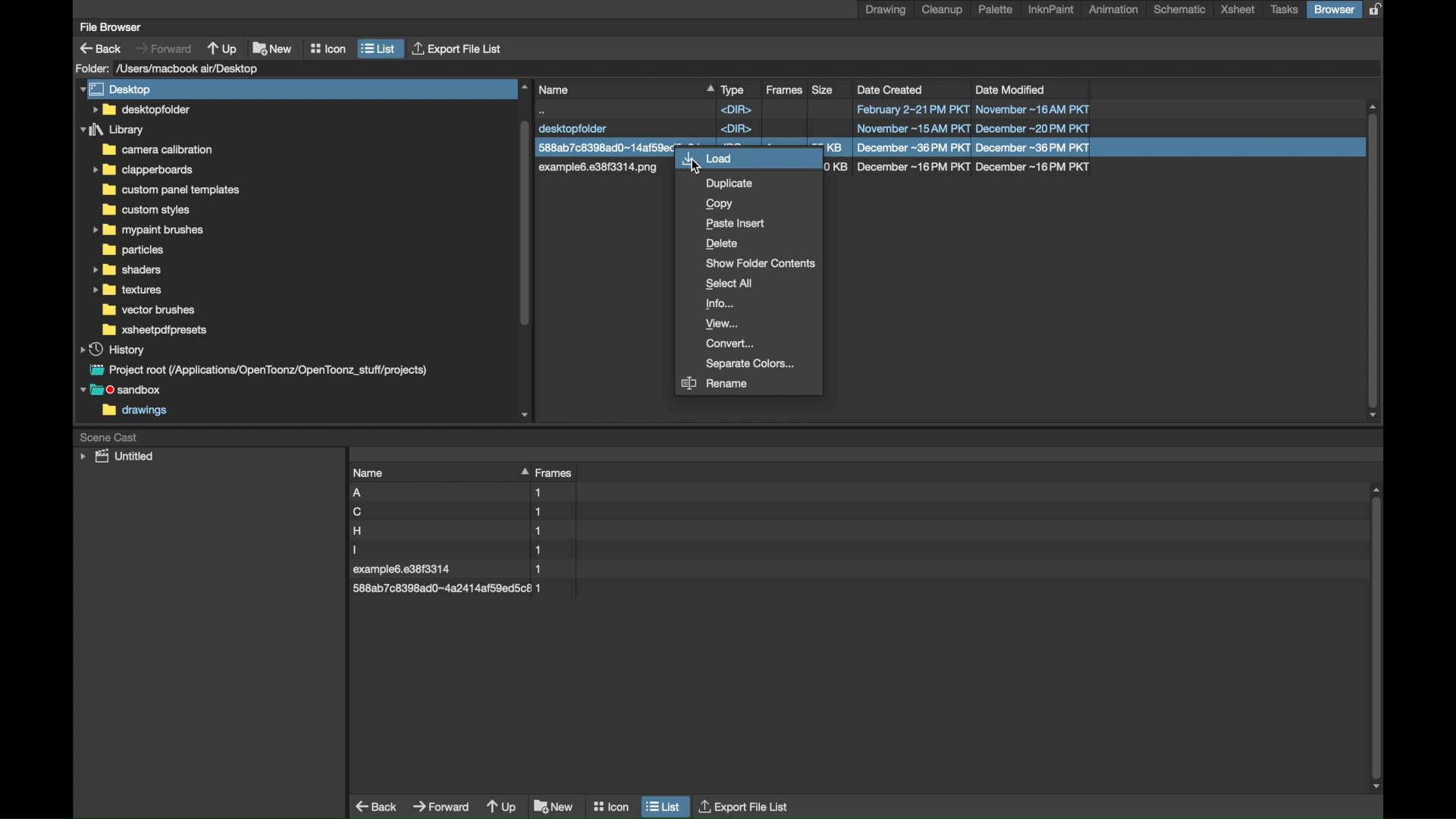 This screenshot has width=1456, height=819. Describe the element at coordinates (1115, 9) in the screenshot. I see `animation` at that location.